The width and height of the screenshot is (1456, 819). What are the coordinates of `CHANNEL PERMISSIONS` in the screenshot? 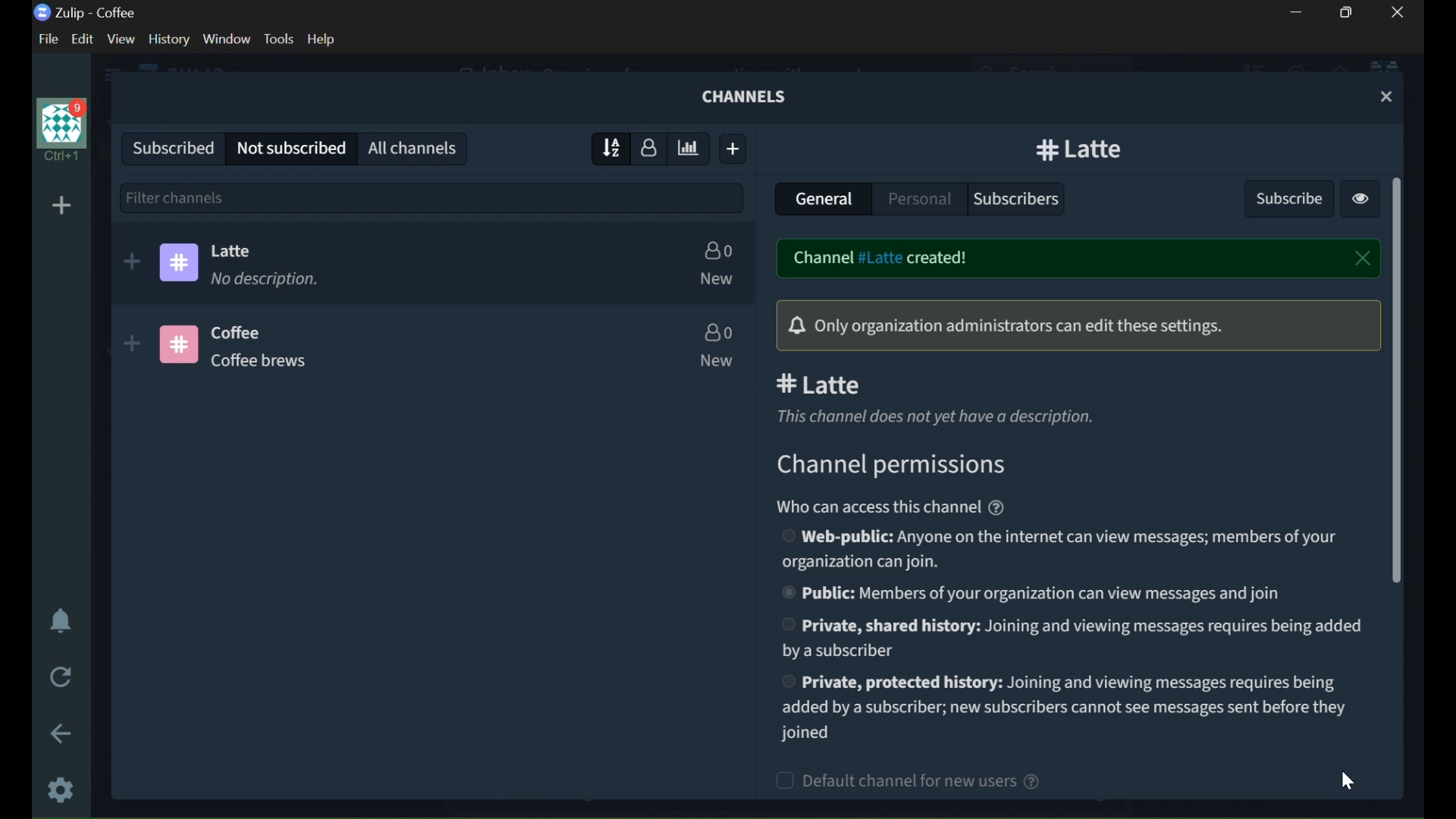 It's located at (900, 467).